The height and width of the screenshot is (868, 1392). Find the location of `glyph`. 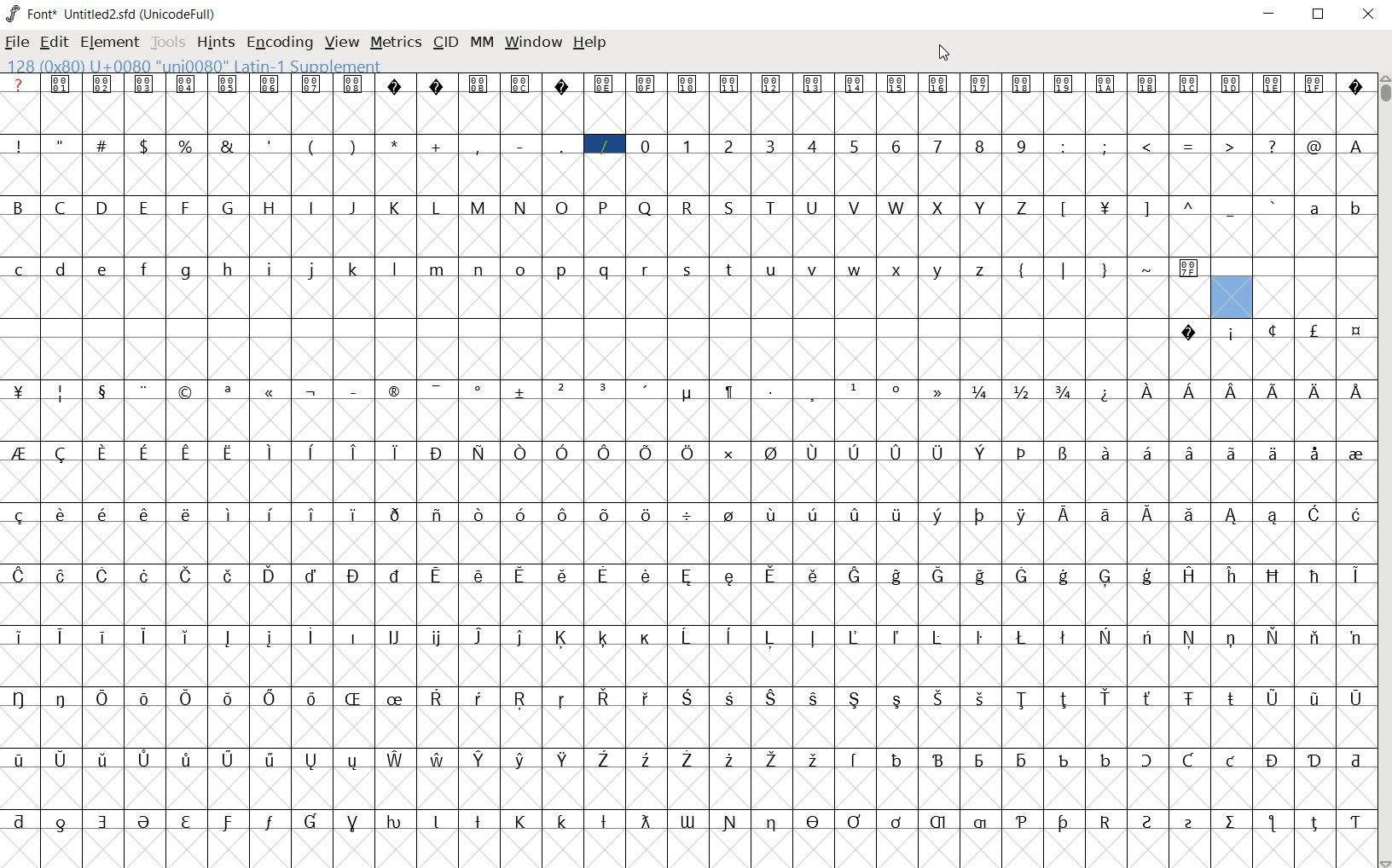

glyph is located at coordinates (19, 453).